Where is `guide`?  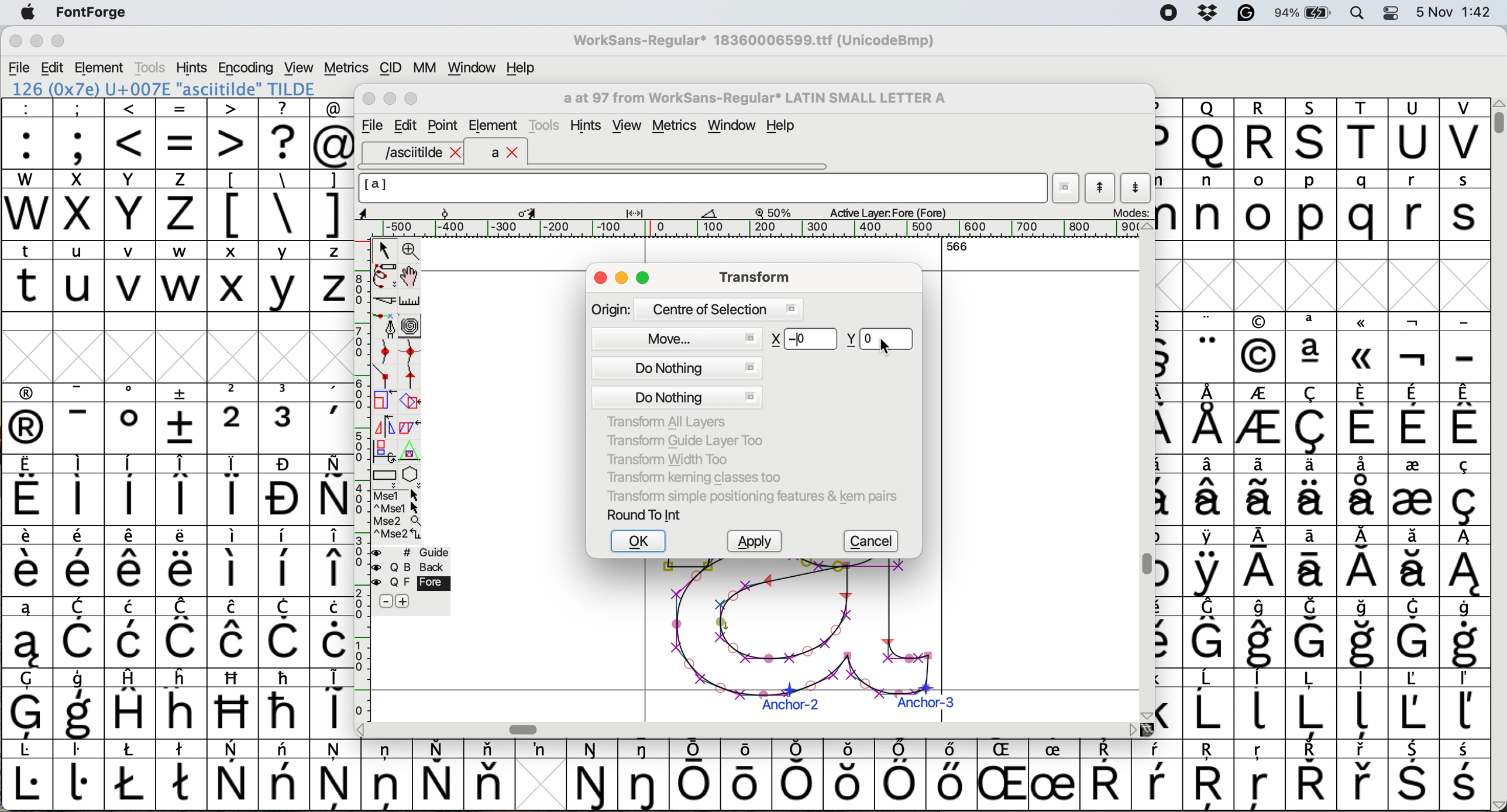 guide is located at coordinates (418, 550).